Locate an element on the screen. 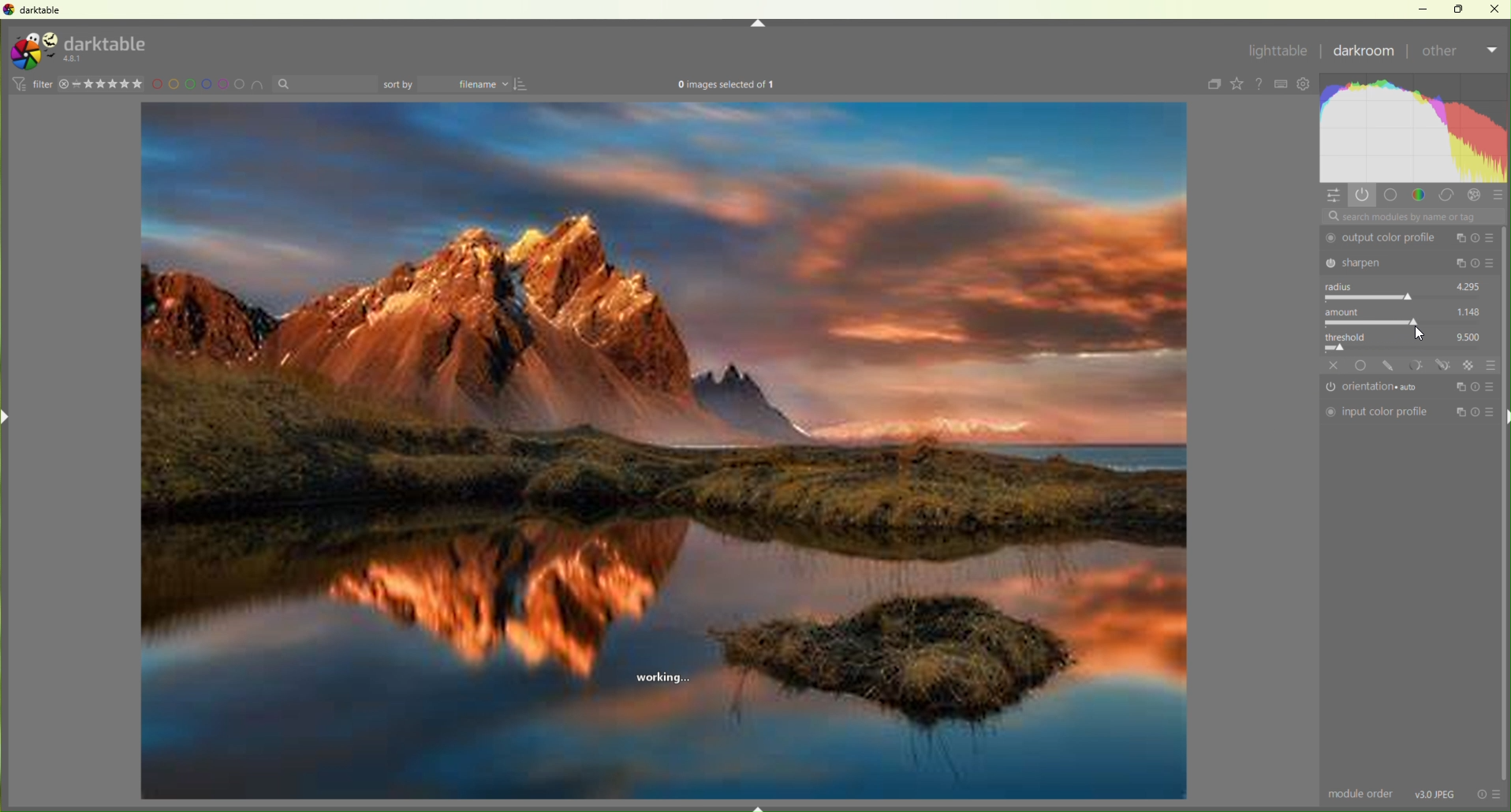  input slider is located at coordinates (1405, 322).